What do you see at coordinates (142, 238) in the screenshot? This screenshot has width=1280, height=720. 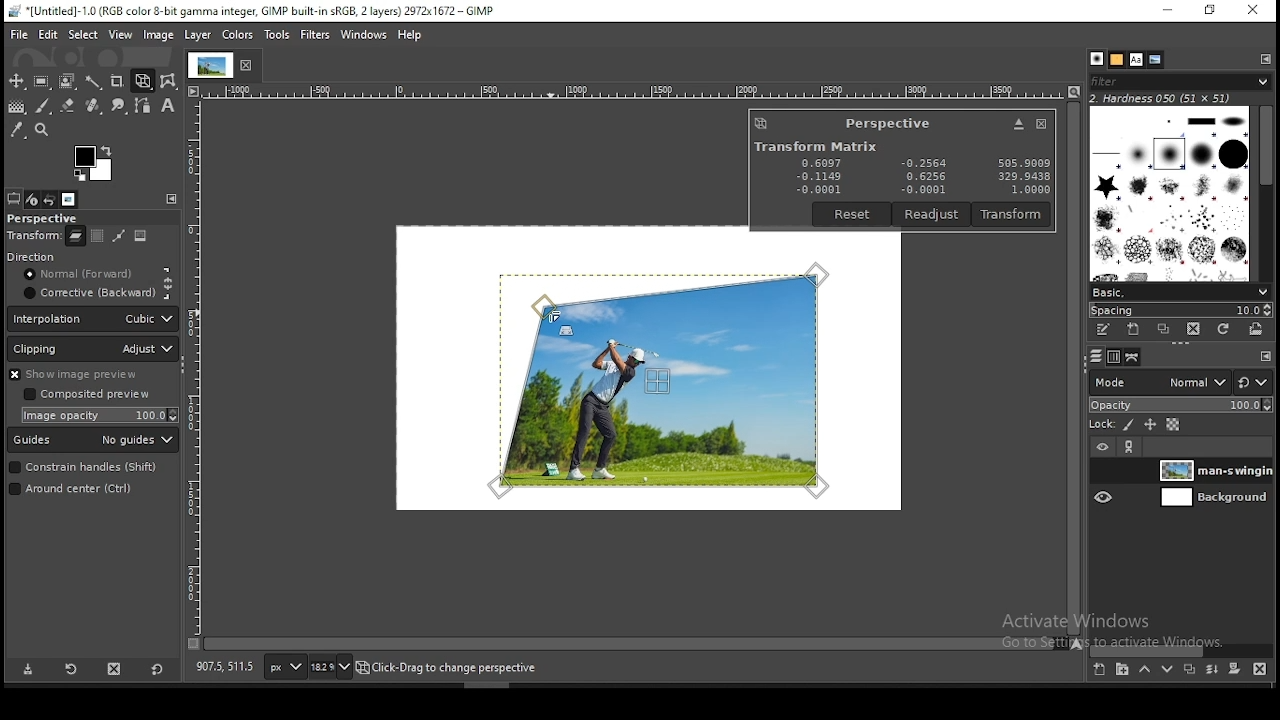 I see `image` at bounding box center [142, 238].